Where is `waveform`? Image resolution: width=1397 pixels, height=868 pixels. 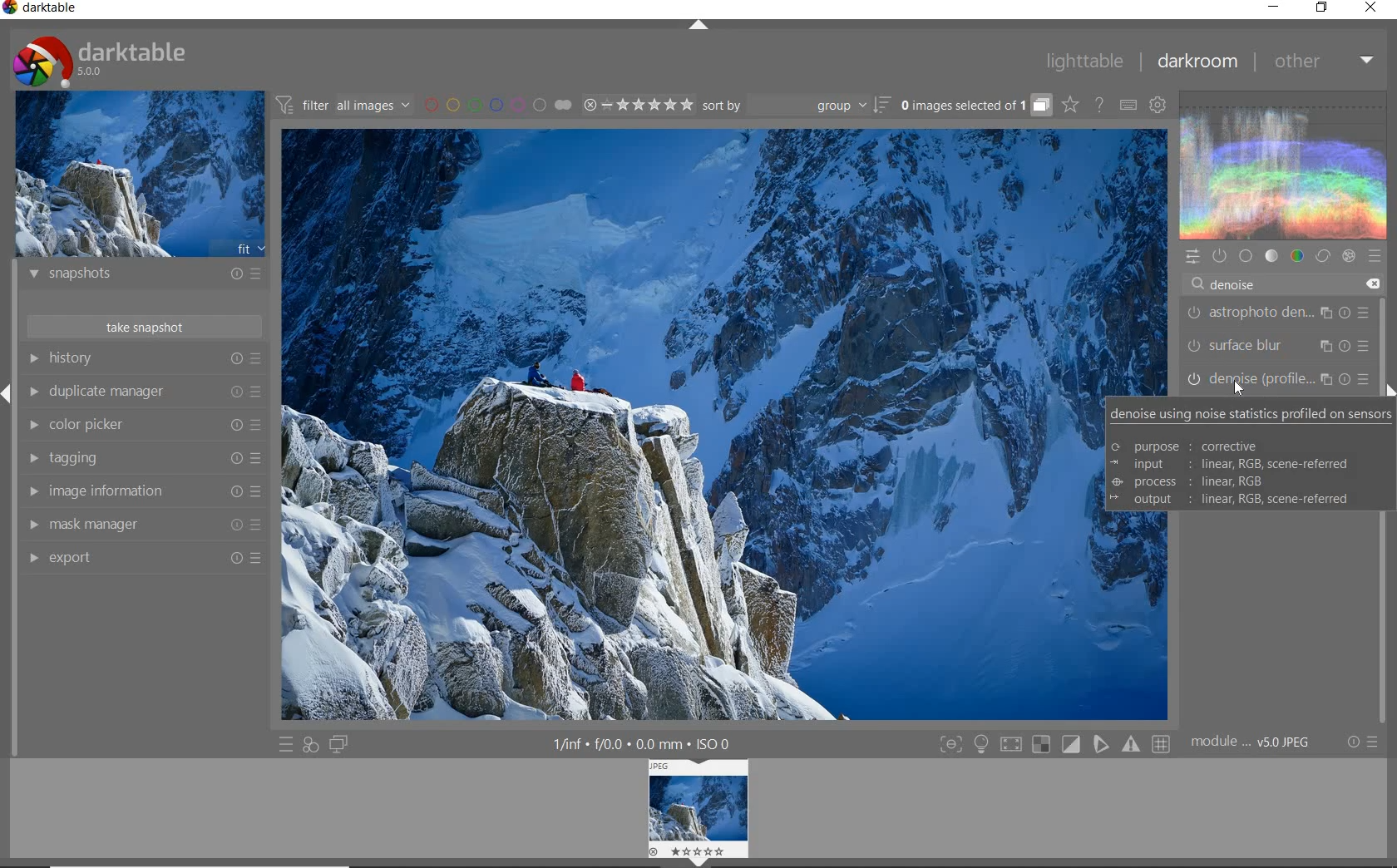
waveform is located at coordinates (1285, 164).